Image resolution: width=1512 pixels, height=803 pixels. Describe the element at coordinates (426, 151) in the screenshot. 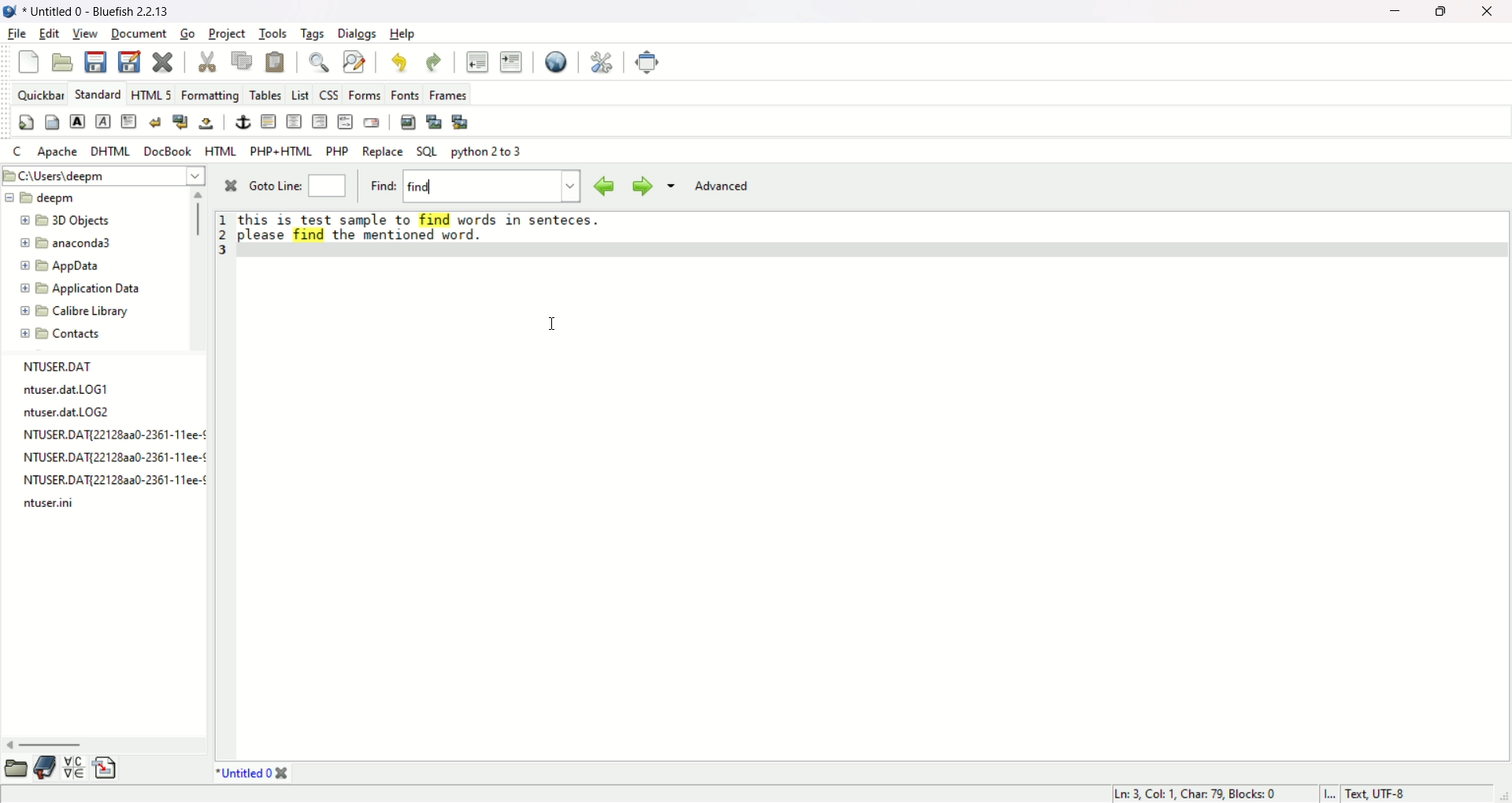

I see `SQL` at that location.